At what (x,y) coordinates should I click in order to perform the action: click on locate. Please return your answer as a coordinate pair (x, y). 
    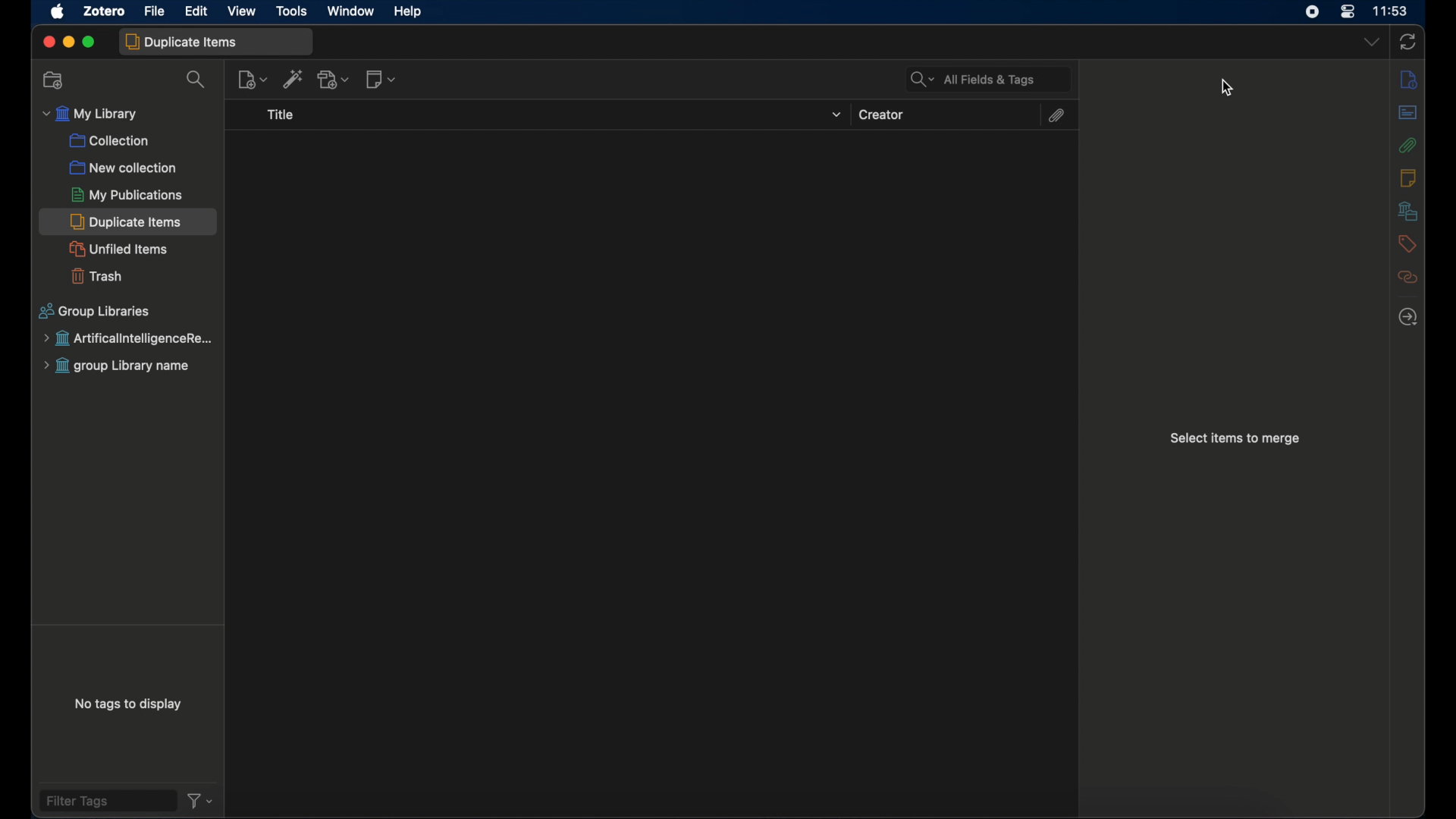
    Looking at the image, I should click on (1408, 318).